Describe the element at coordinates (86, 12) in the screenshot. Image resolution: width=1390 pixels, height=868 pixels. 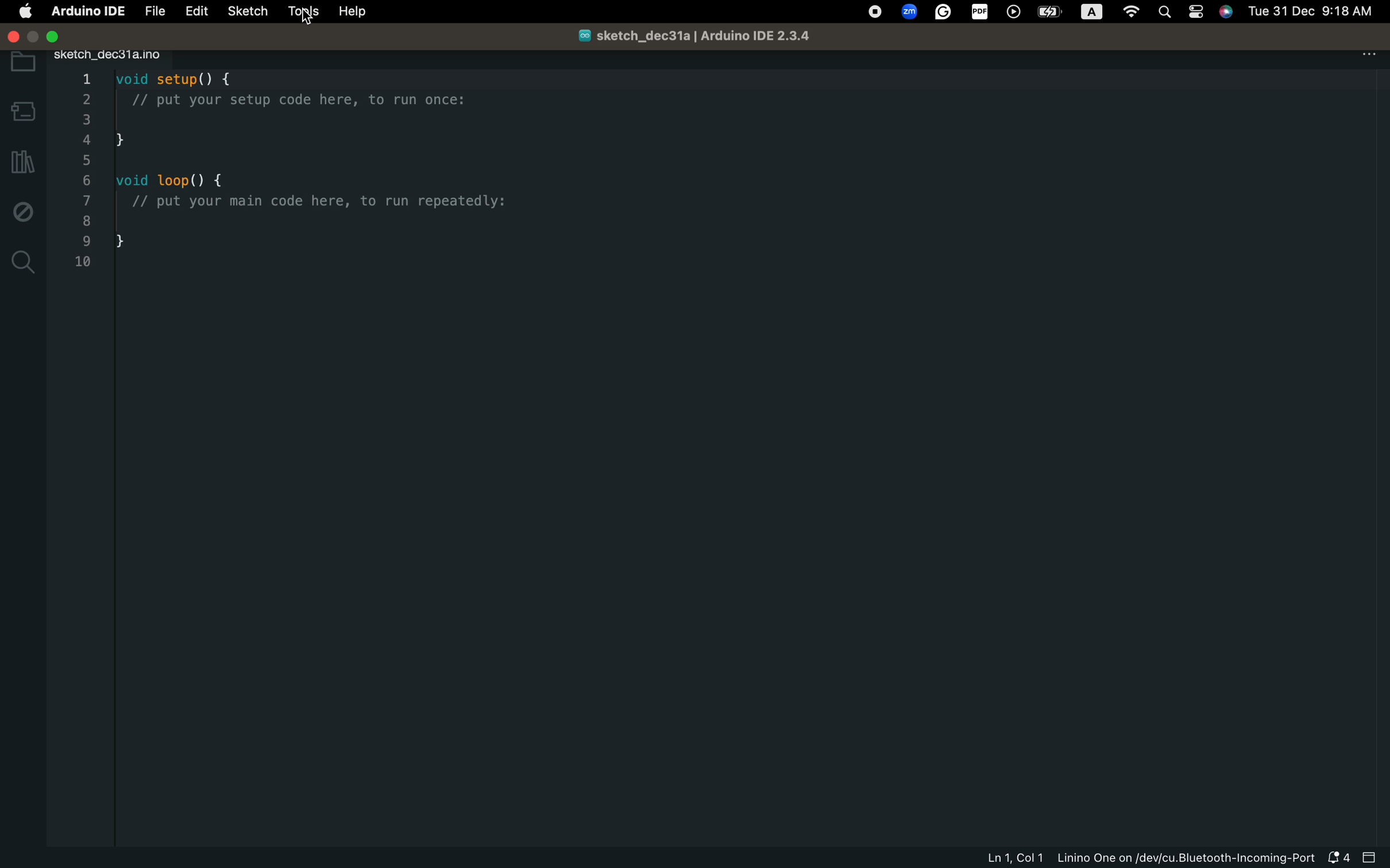
I see `arduino` at that location.